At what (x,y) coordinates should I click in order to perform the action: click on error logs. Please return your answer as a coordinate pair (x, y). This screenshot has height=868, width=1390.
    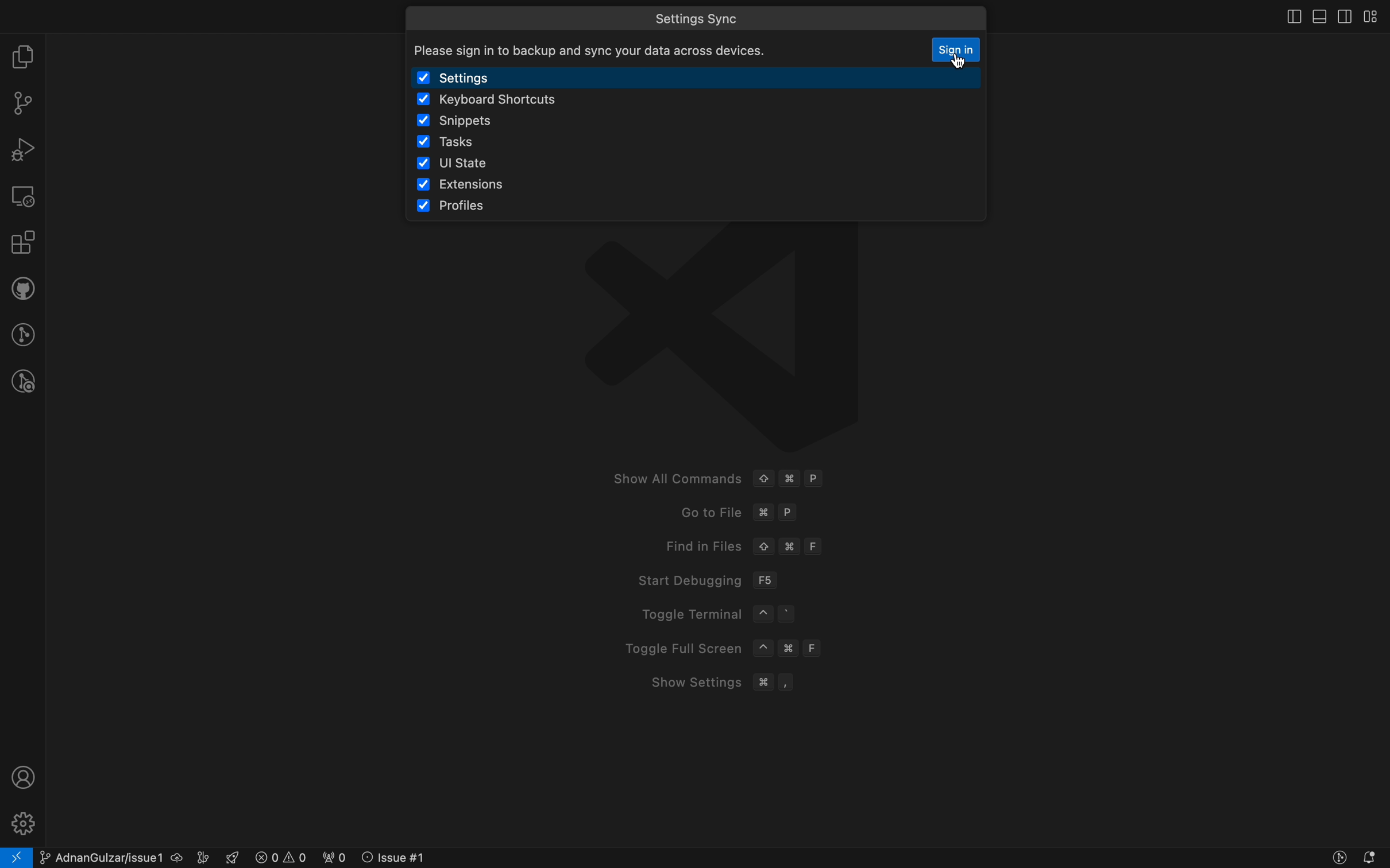
    Looking at the image, I should click on (333, 857).